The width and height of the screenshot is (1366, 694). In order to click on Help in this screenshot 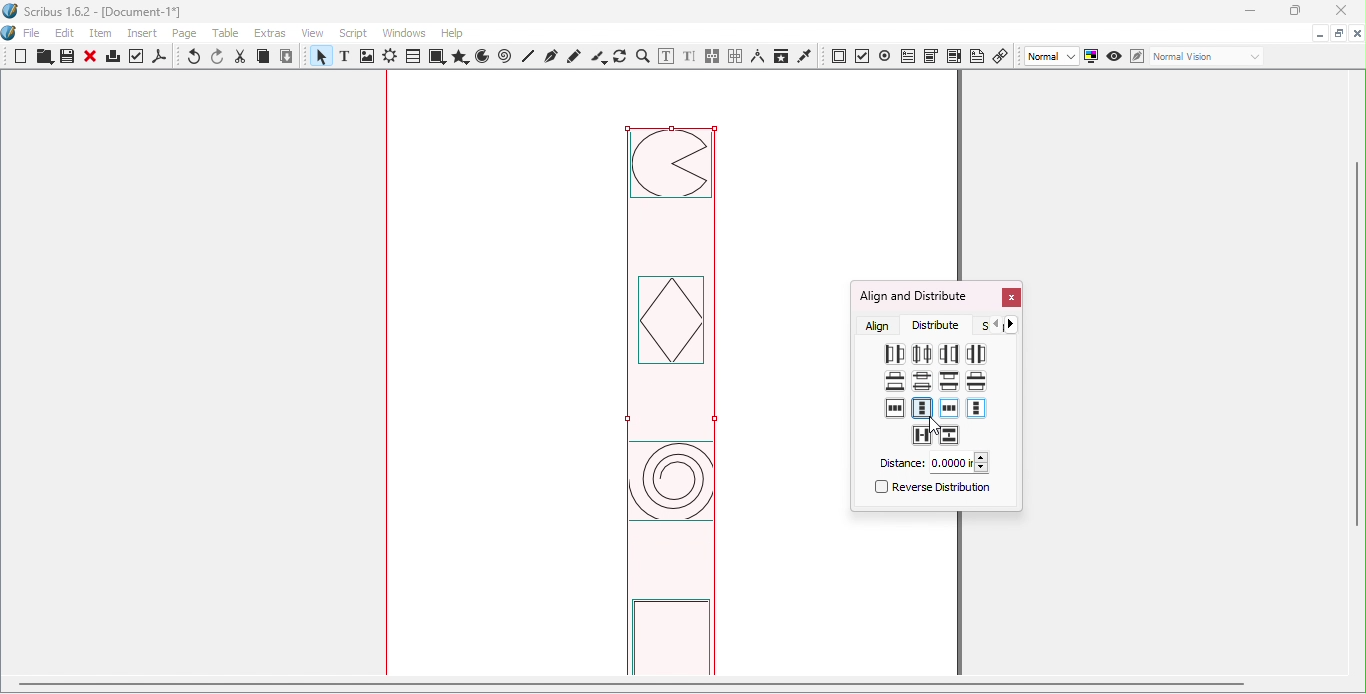, I will do `click(452, 33)`.